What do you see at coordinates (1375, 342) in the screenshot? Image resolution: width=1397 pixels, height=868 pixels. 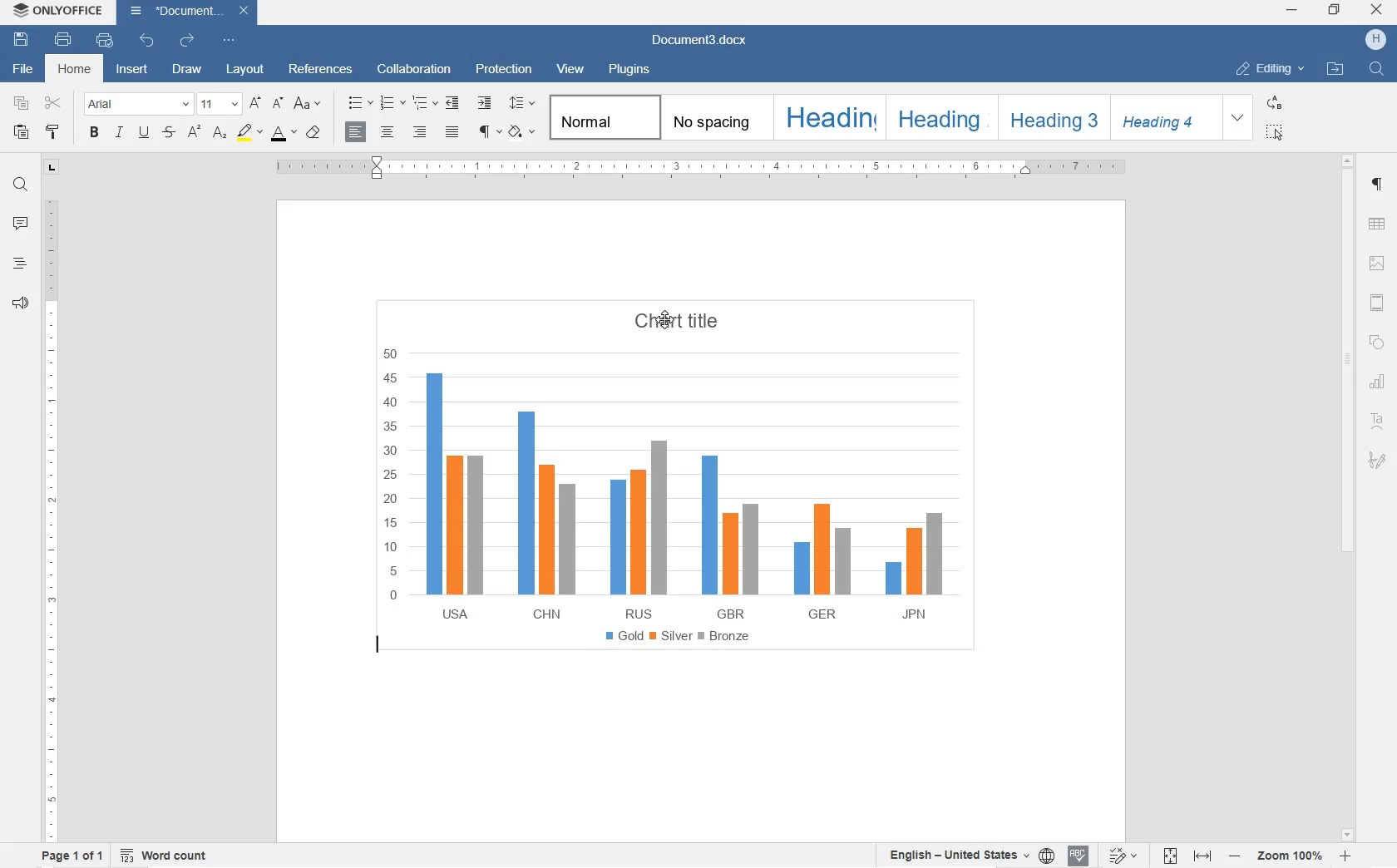 I see `SHAPE` at bounding box center [1375, 342].